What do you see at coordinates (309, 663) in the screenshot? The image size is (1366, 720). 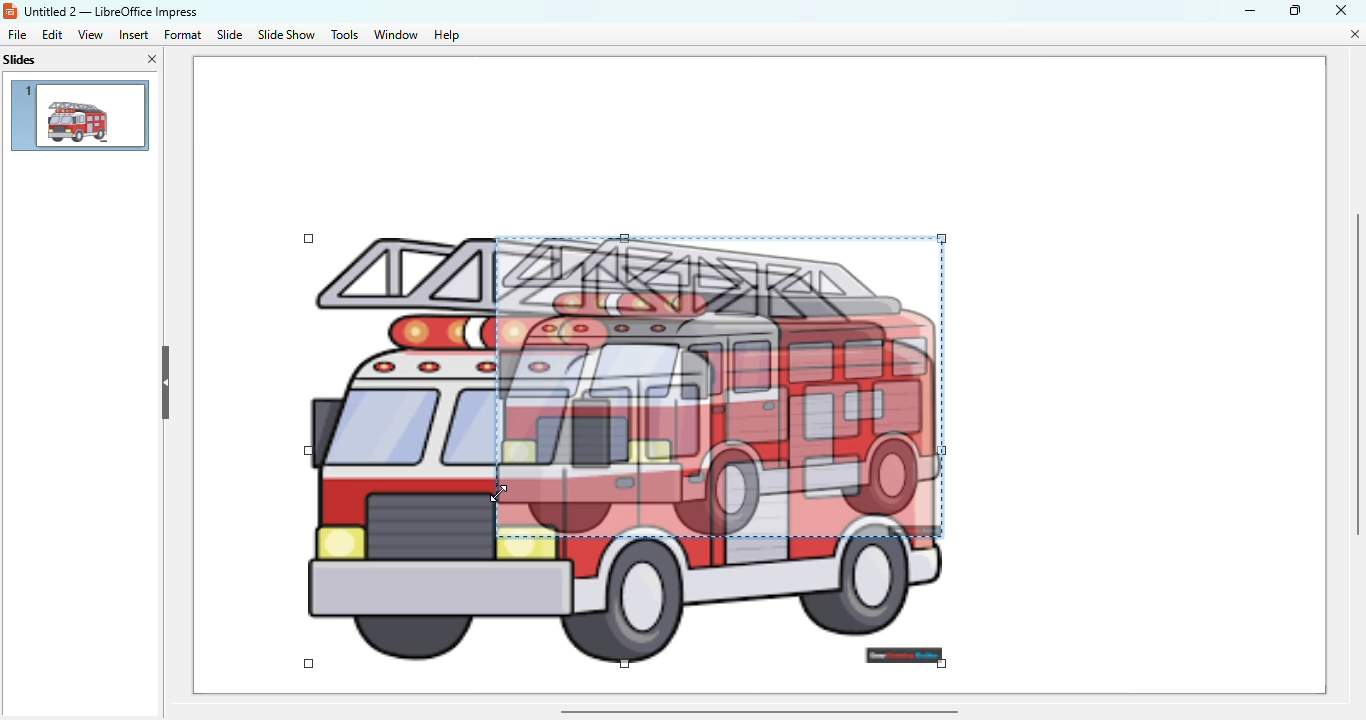 I see `corner handles` at bounding box center [309, 663].